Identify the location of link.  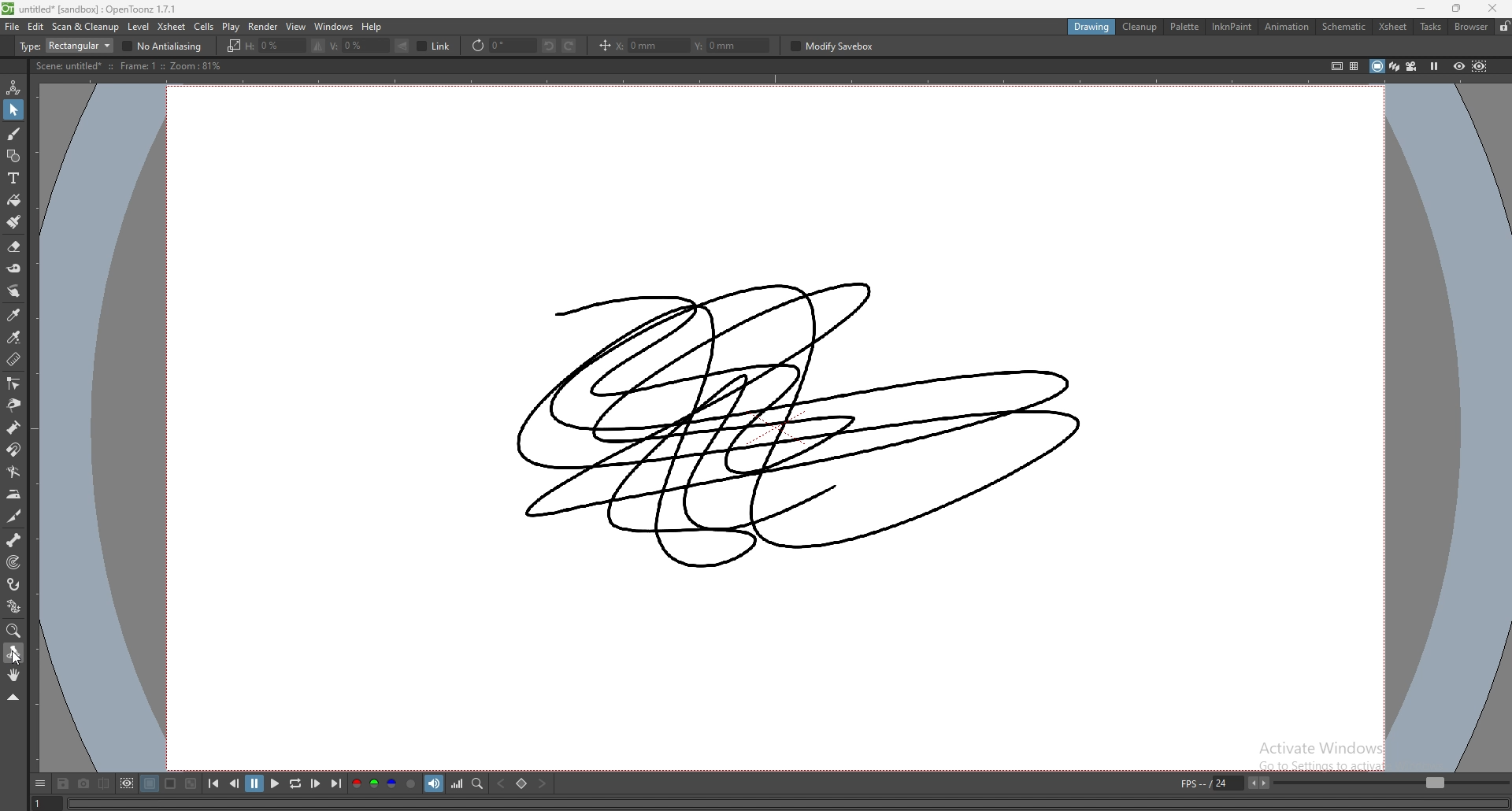
(436, 46).